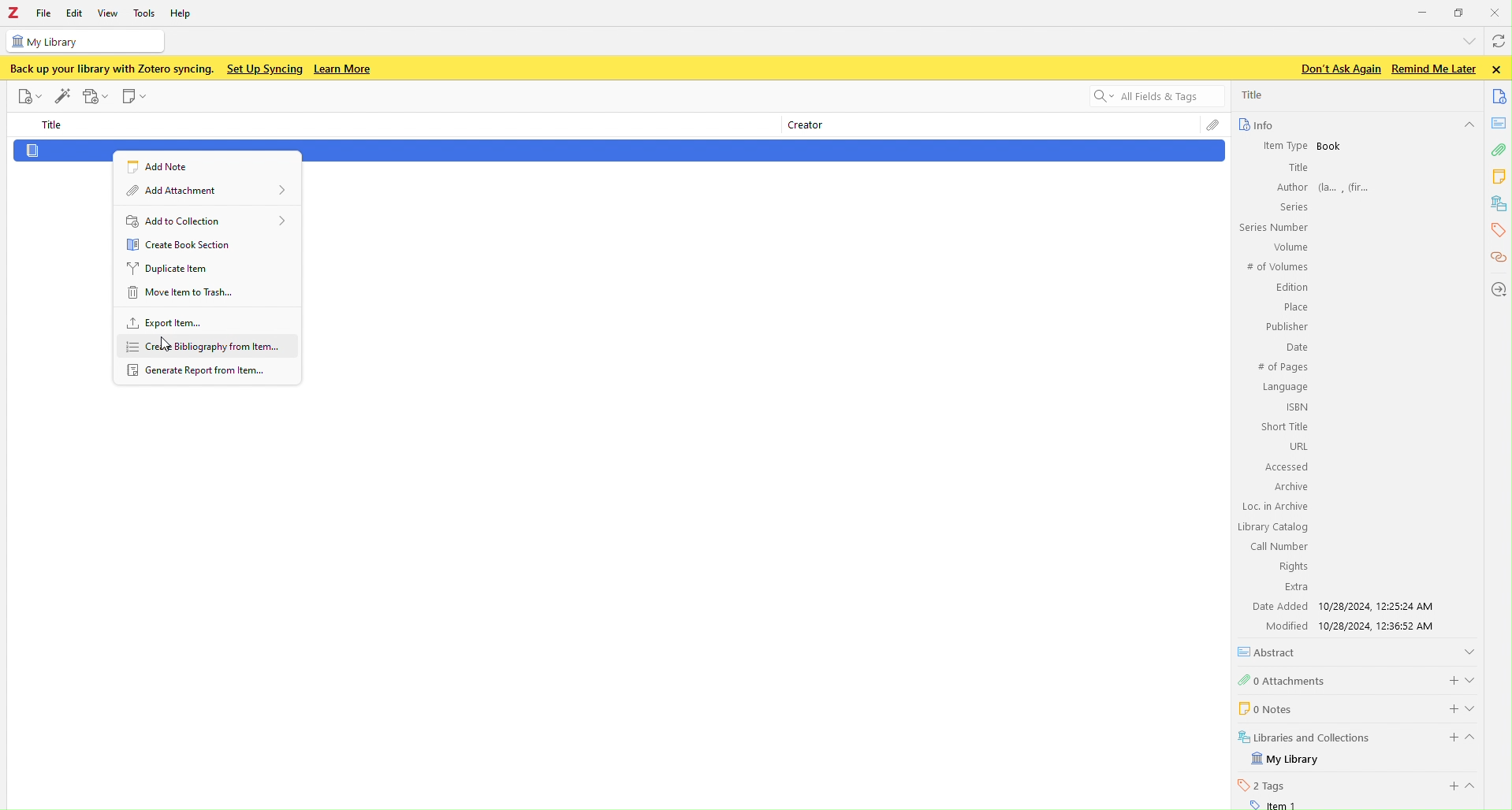 This screenshot has height=810, width=1512. What do you see at coordinates (1297, 168) in the screenshot?
I see `Title` at bounding box center [1297, 168].